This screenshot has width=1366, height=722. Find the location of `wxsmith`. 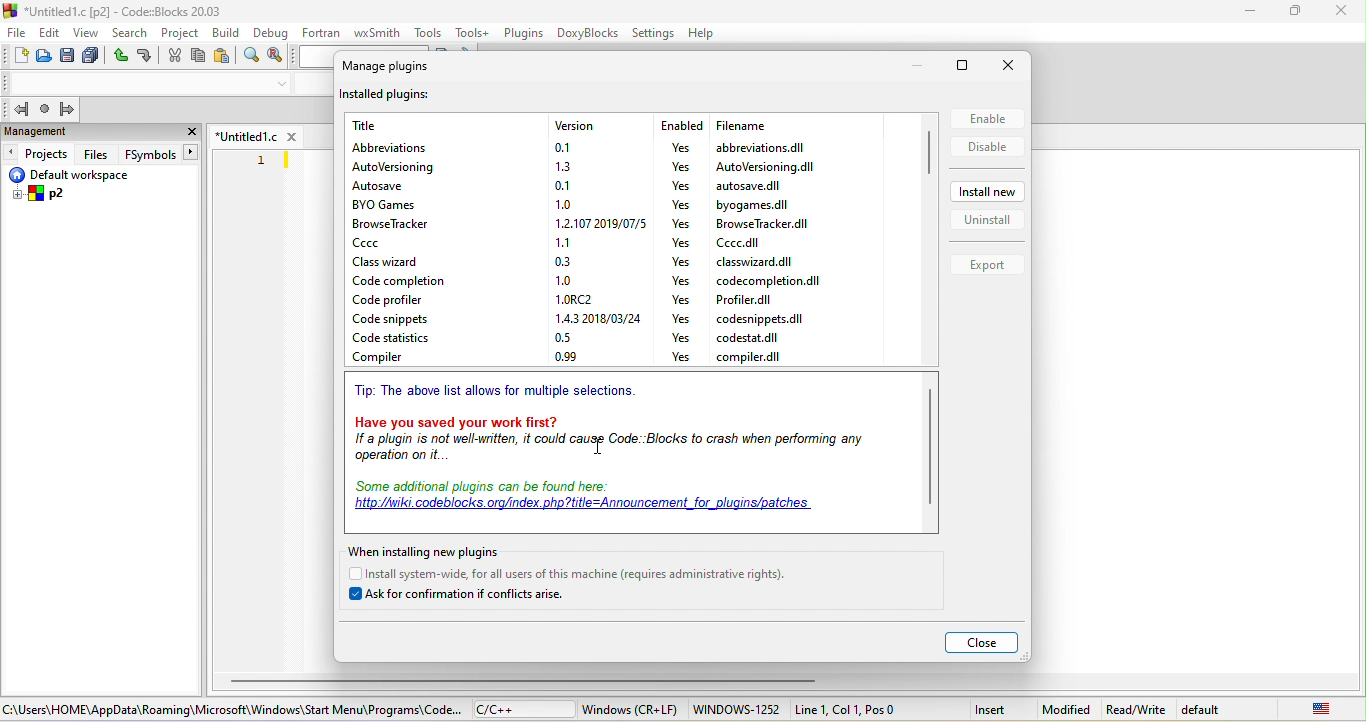

wxsmith is located at coordinates (377, 34).